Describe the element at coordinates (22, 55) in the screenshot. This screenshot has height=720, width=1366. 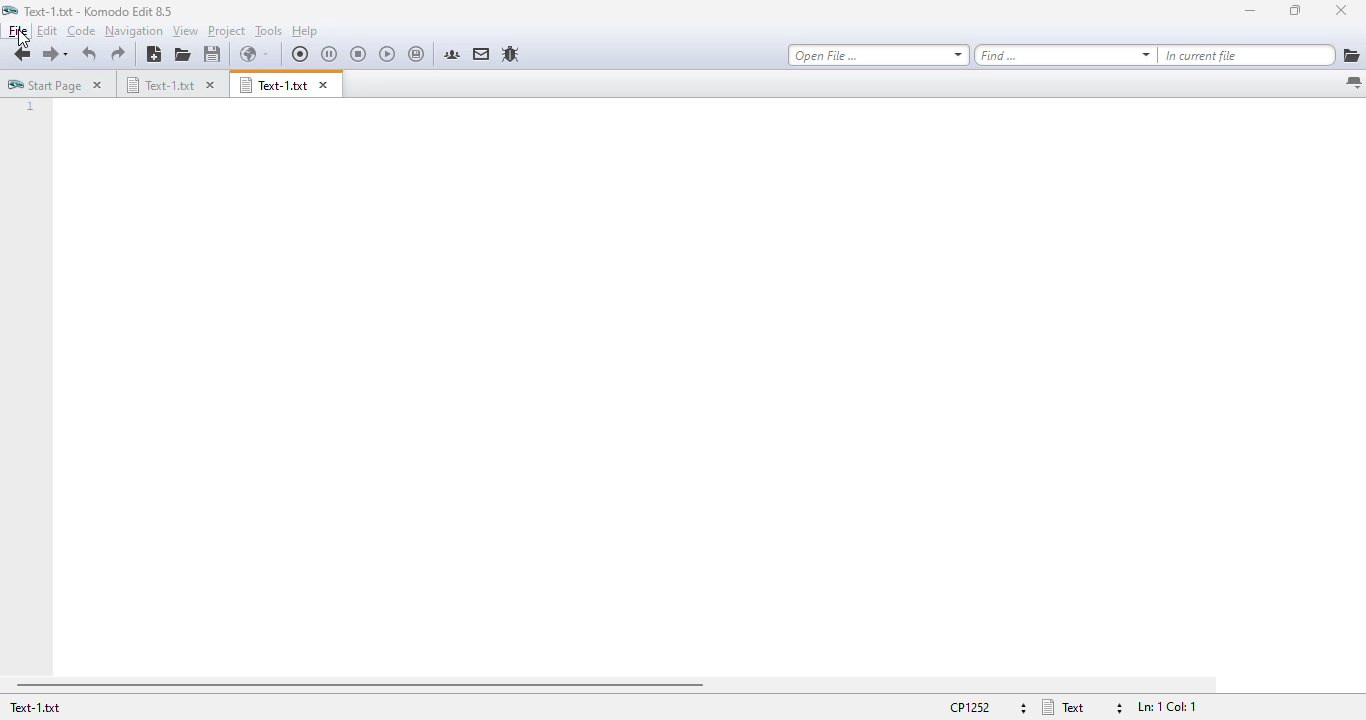
I see `go back one location` at that location.